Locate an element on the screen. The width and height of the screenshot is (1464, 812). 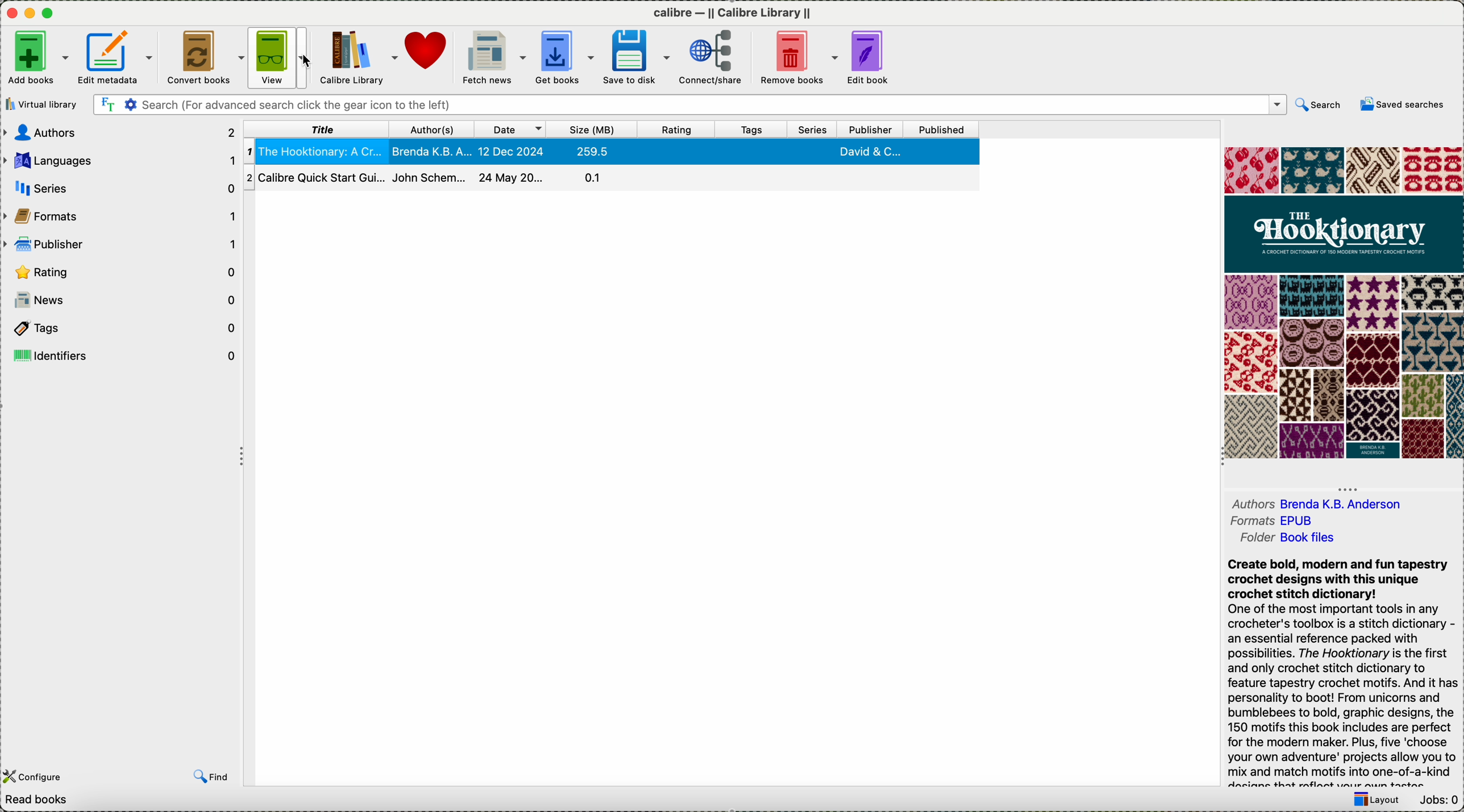
authors is located at coordinates (1317, 499).